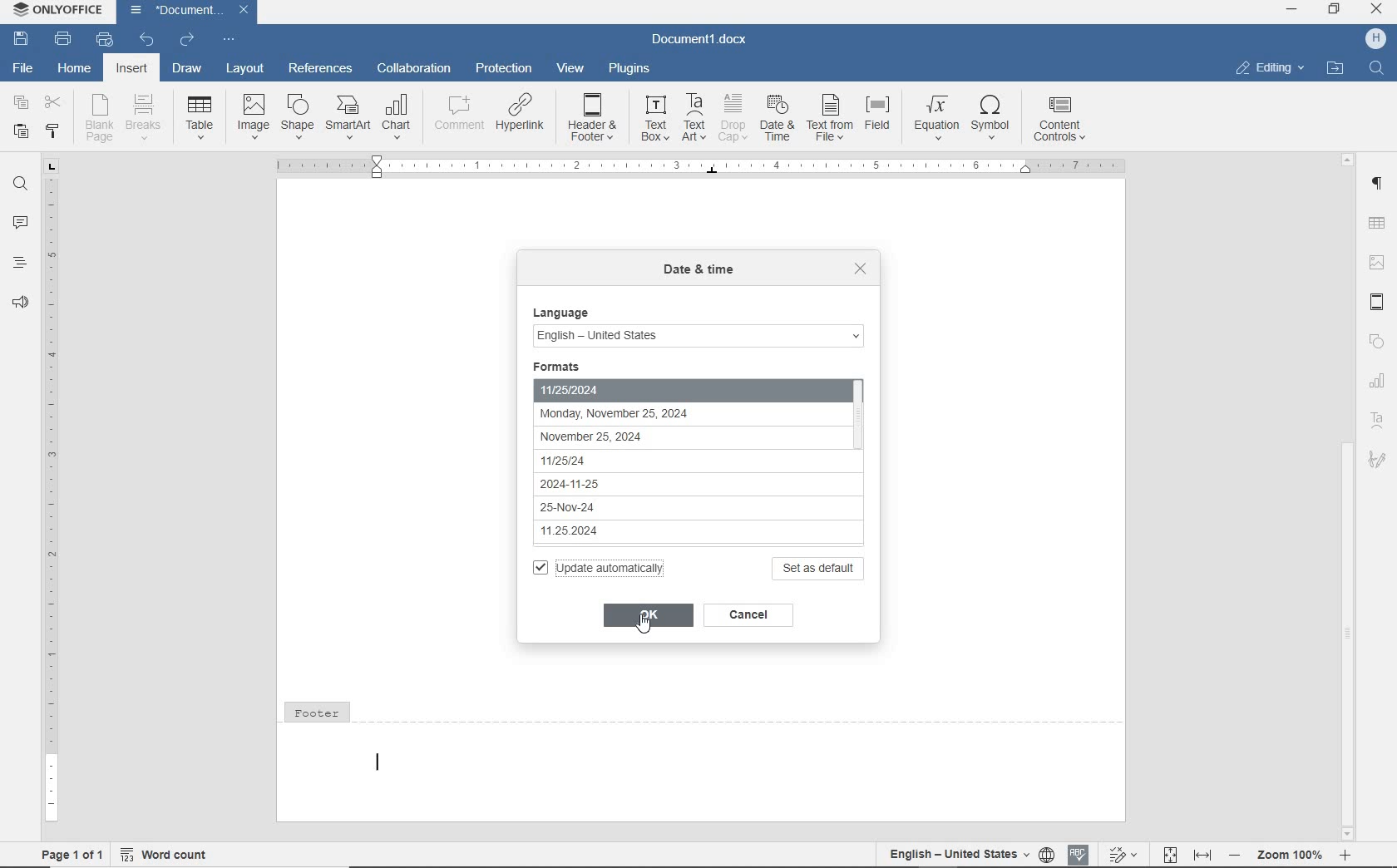  Describe the element at coordinates (1335, 11) in the screenshot. I see `restore down` at that location.